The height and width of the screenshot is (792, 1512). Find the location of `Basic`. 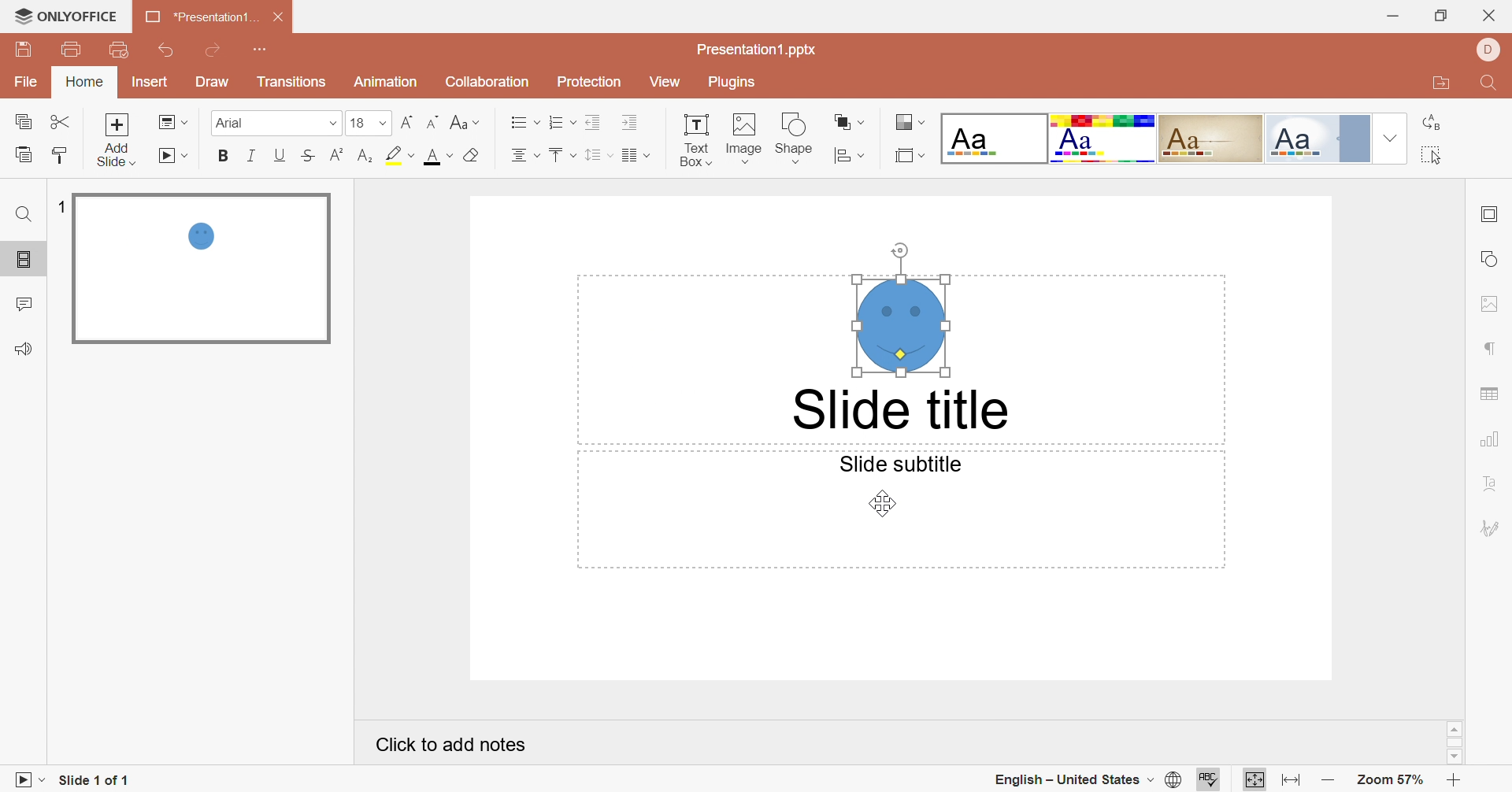

Basic is located at coordinates (1103, 139).